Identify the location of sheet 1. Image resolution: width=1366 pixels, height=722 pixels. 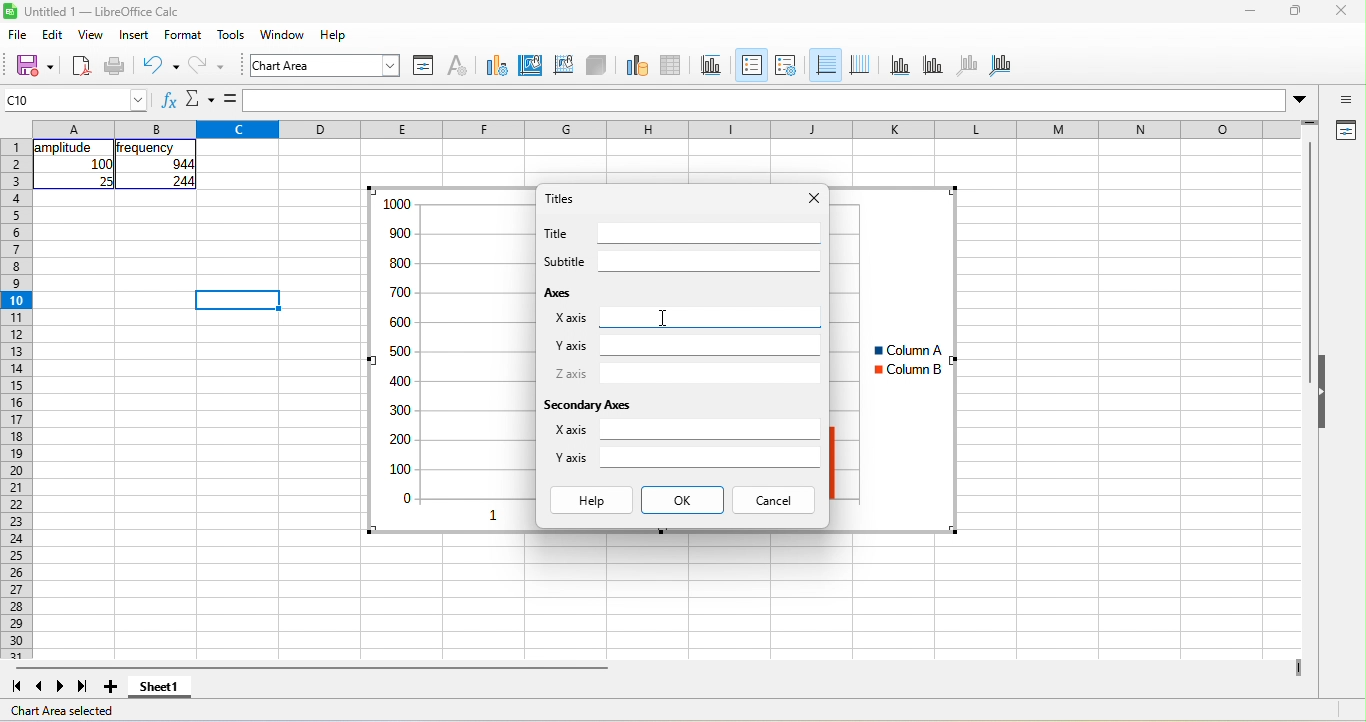
(160, 687).